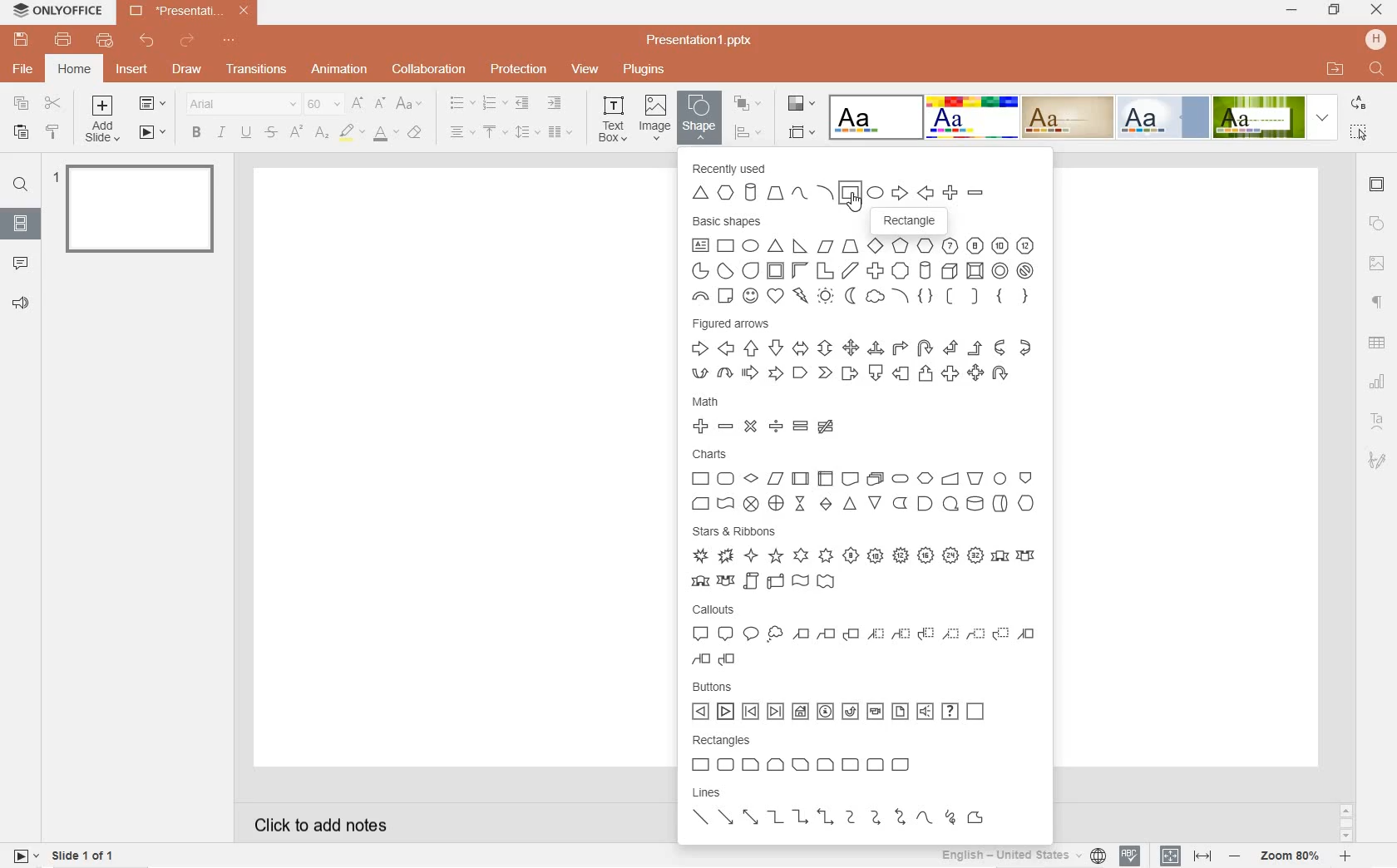 The height and width of the screenshot is (868, 1397). I want to click on Delay, so click(925, 504).